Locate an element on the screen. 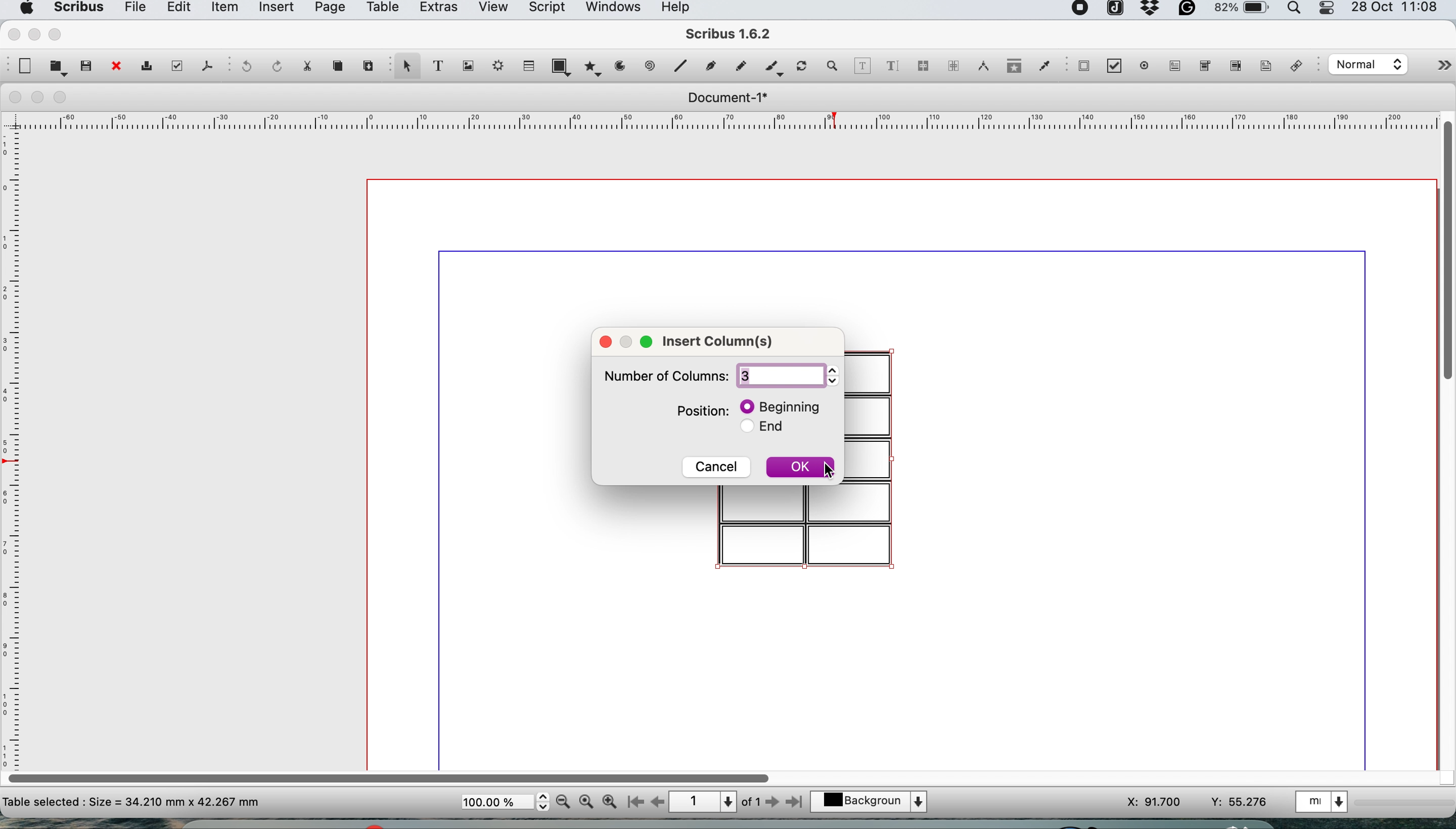  copy item properties is located at coordinates (1011, 69).